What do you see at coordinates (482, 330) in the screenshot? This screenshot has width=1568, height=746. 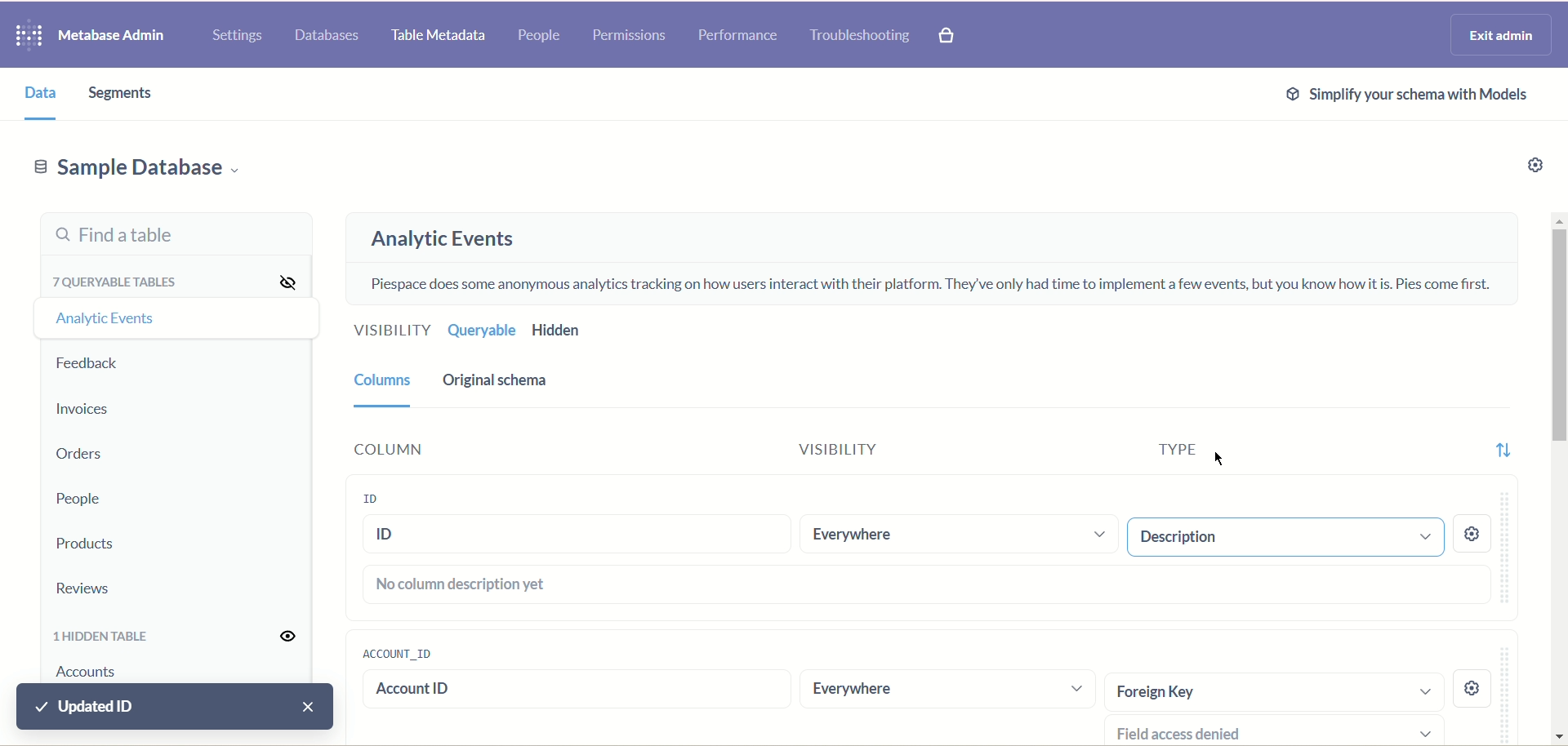 I see `queryable` at bounding box center [482, 330].